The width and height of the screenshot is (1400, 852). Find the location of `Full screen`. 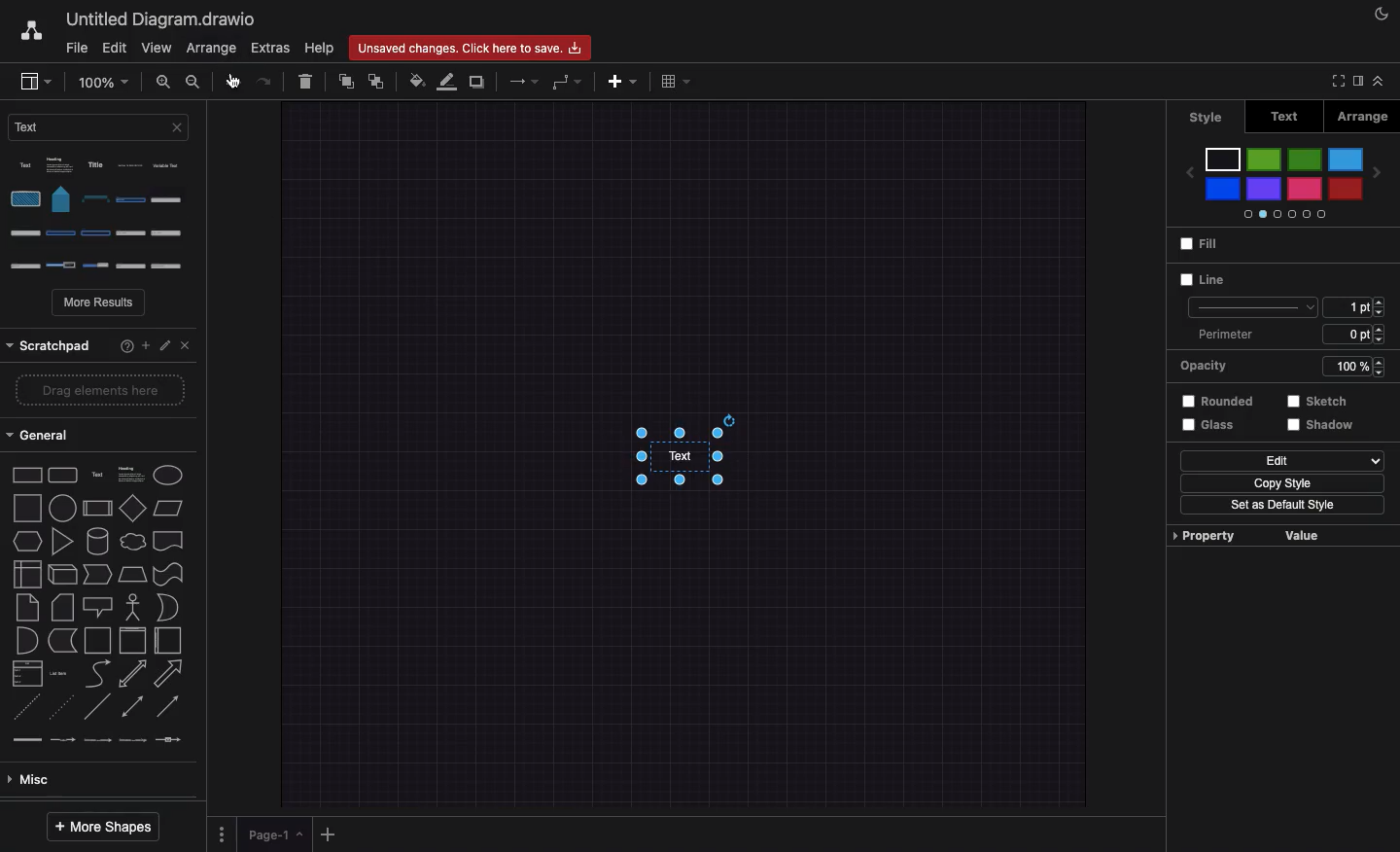

Full screen is located at coordinates (1335, 81).